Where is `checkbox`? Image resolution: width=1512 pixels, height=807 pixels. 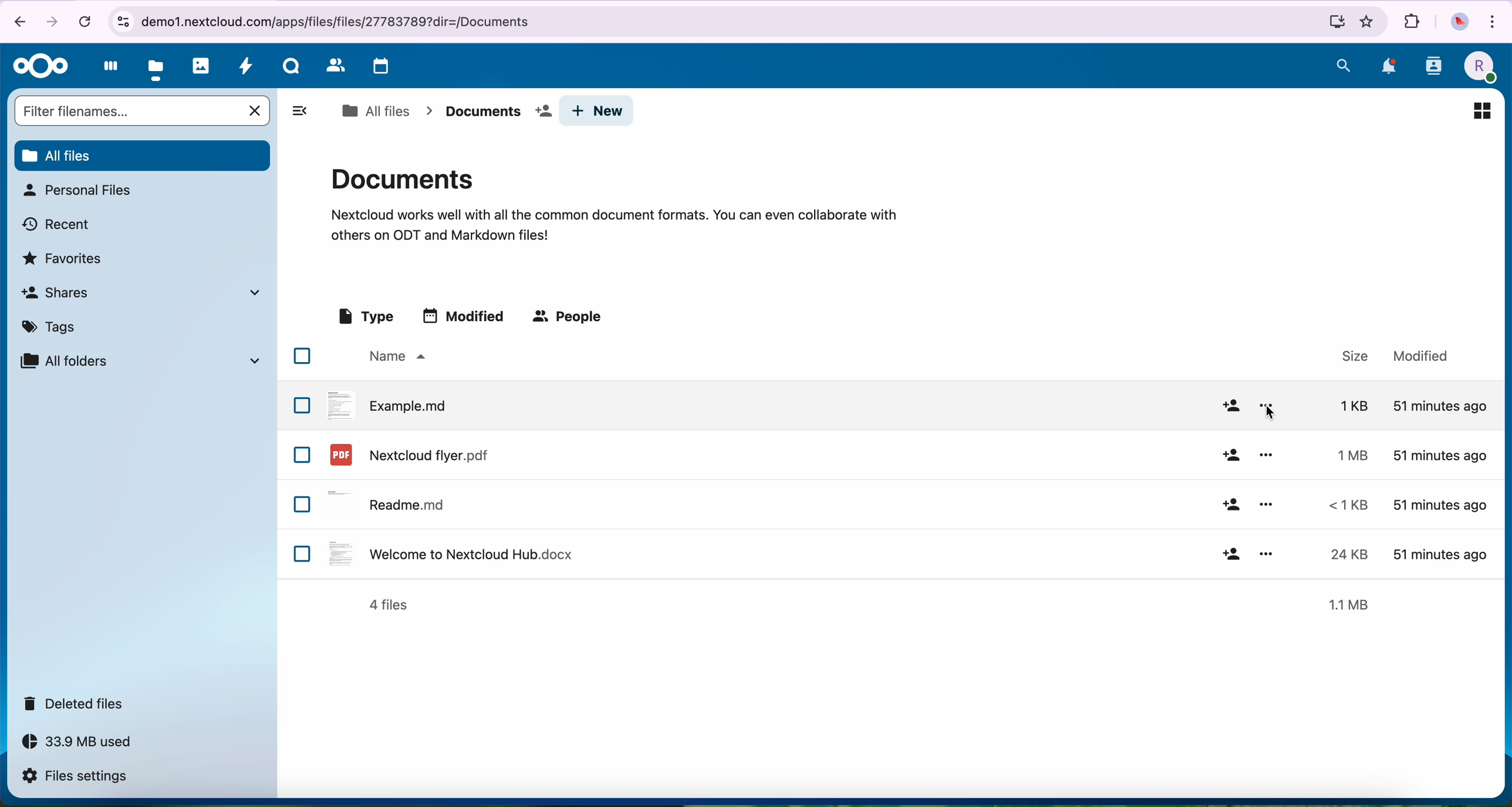 checkbox is located at coordinates (302, 356).